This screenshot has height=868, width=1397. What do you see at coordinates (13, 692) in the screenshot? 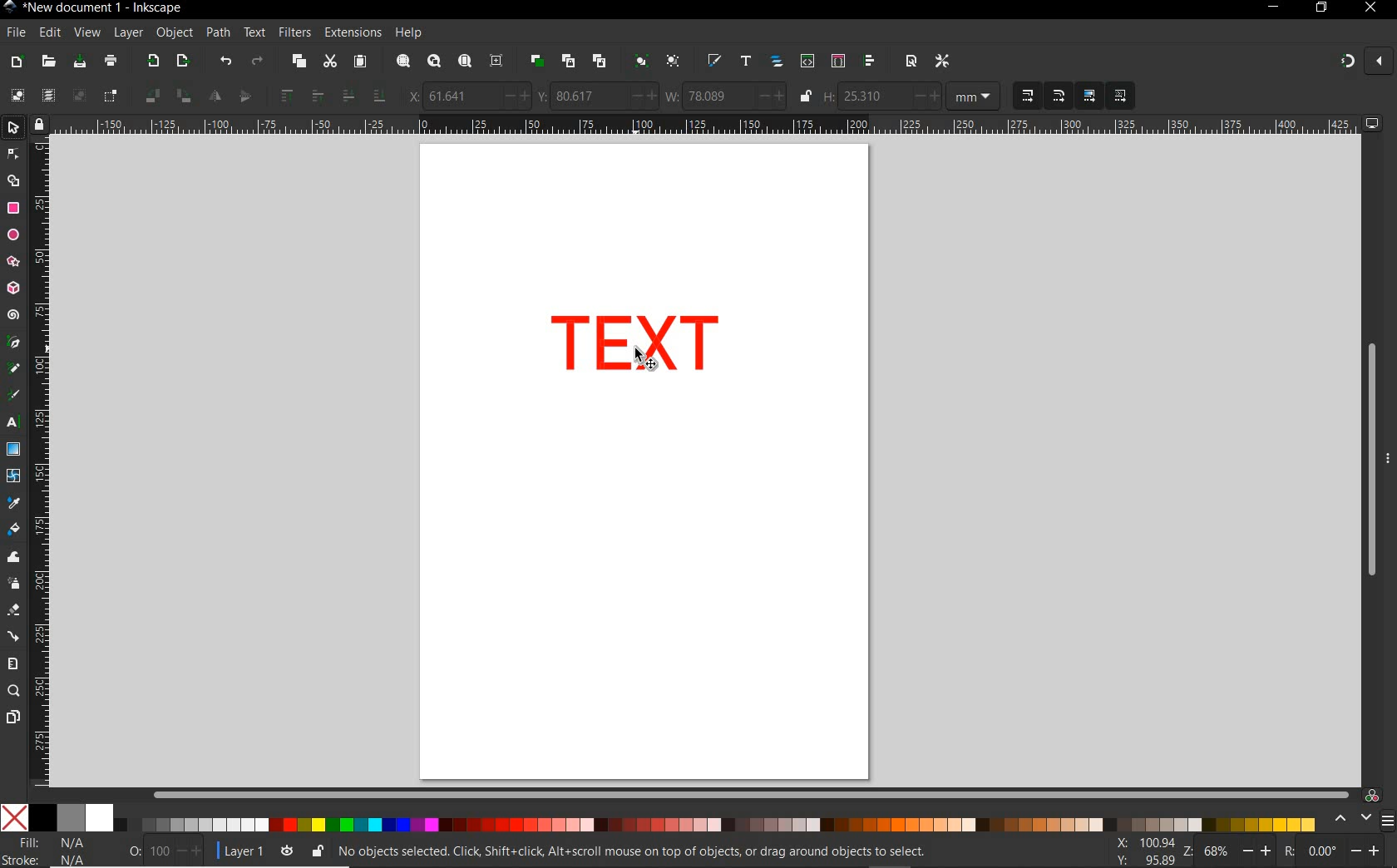
I see `zoom tool` at bounding box center [13, 692].